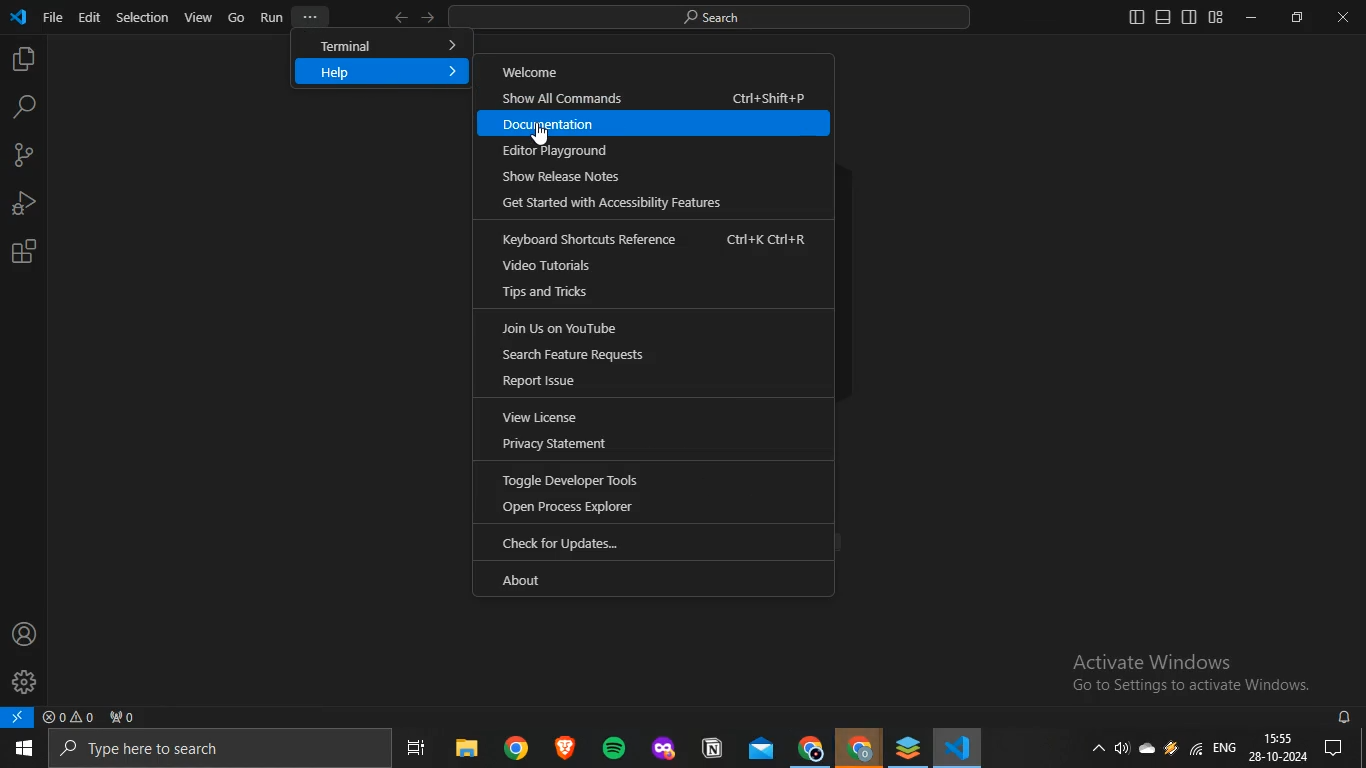  What do you see at coordinates (23, 633) in the screenshot?
I see `accounts` at bounding box center [23, 633].